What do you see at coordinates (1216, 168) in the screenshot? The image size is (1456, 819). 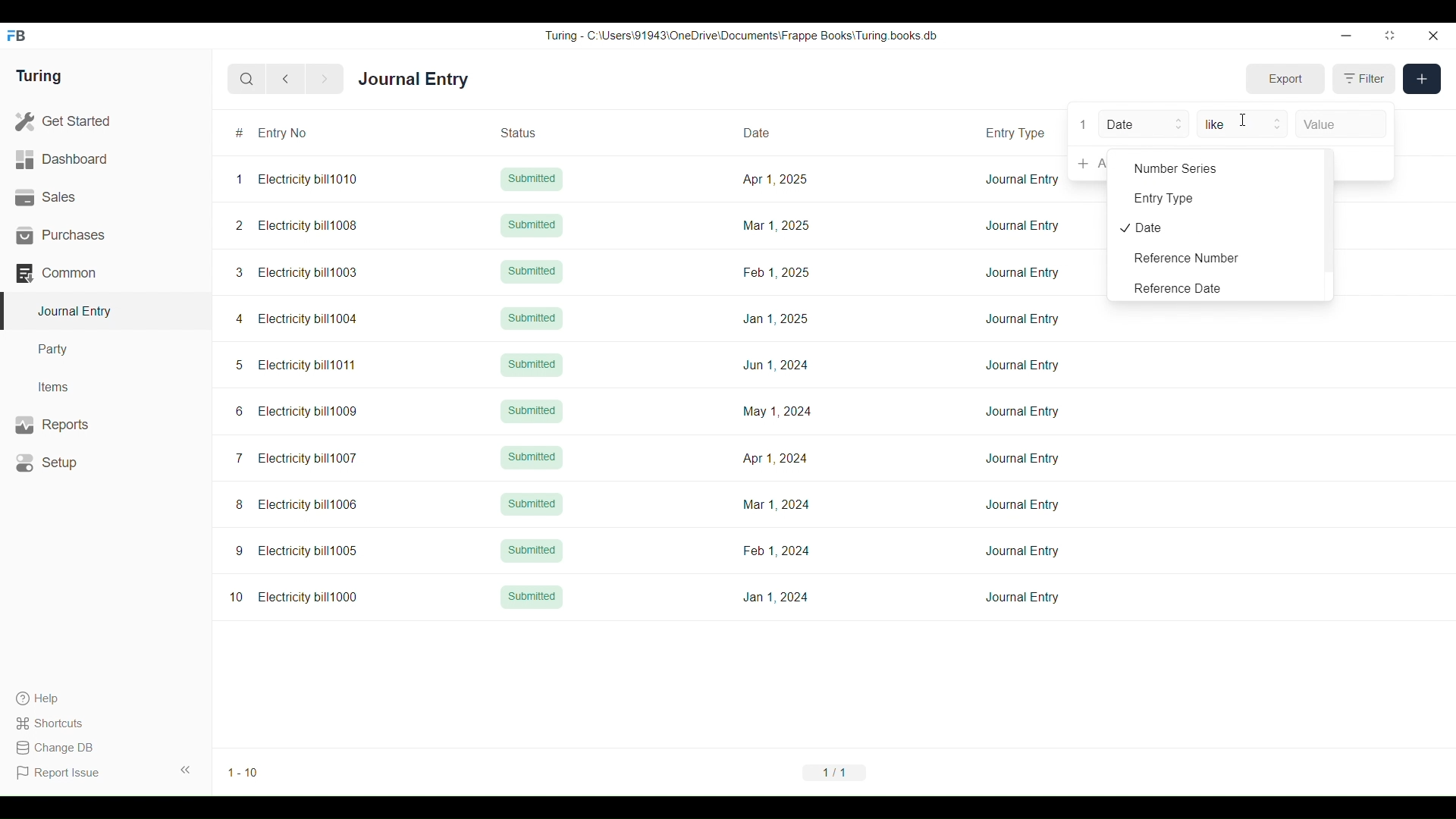 I see `Number Series` at bounding box center [1216, 168].